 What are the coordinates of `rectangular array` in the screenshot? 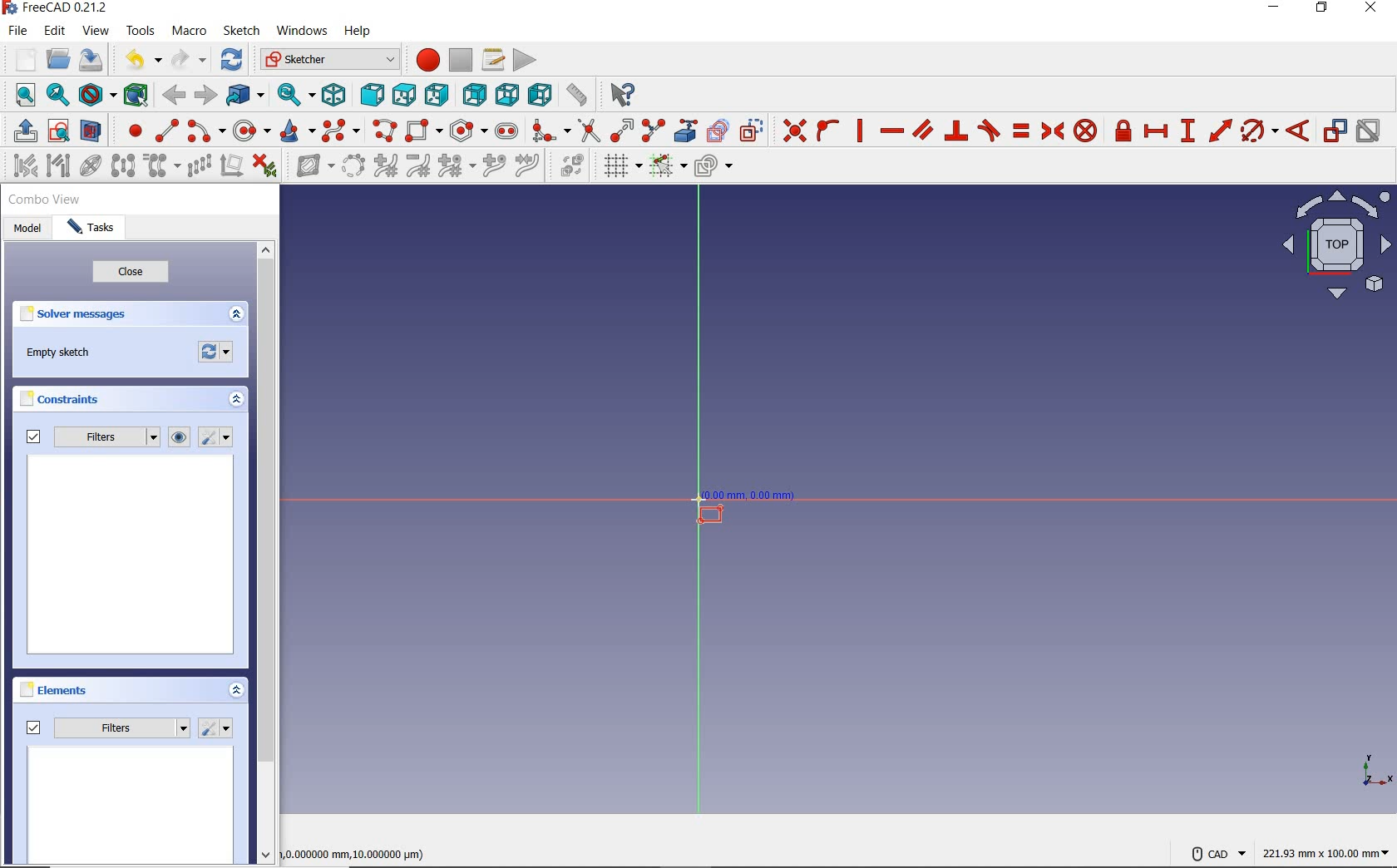 It's located at (198, 166).